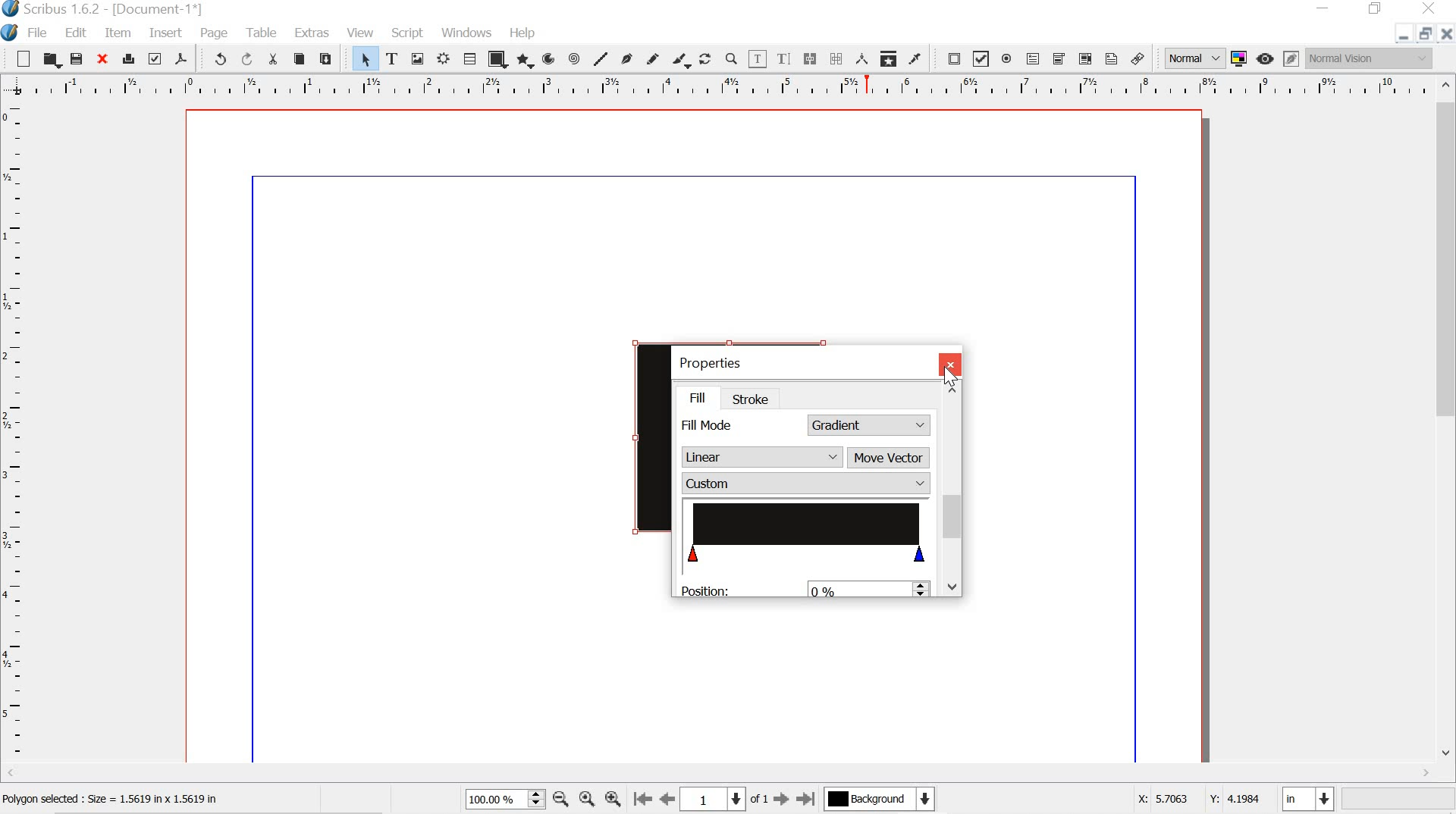 This screenshot has width=1456, height=814. Describe the element at coordinates (757, 459) in the screenshot. I see `linear` at that location.